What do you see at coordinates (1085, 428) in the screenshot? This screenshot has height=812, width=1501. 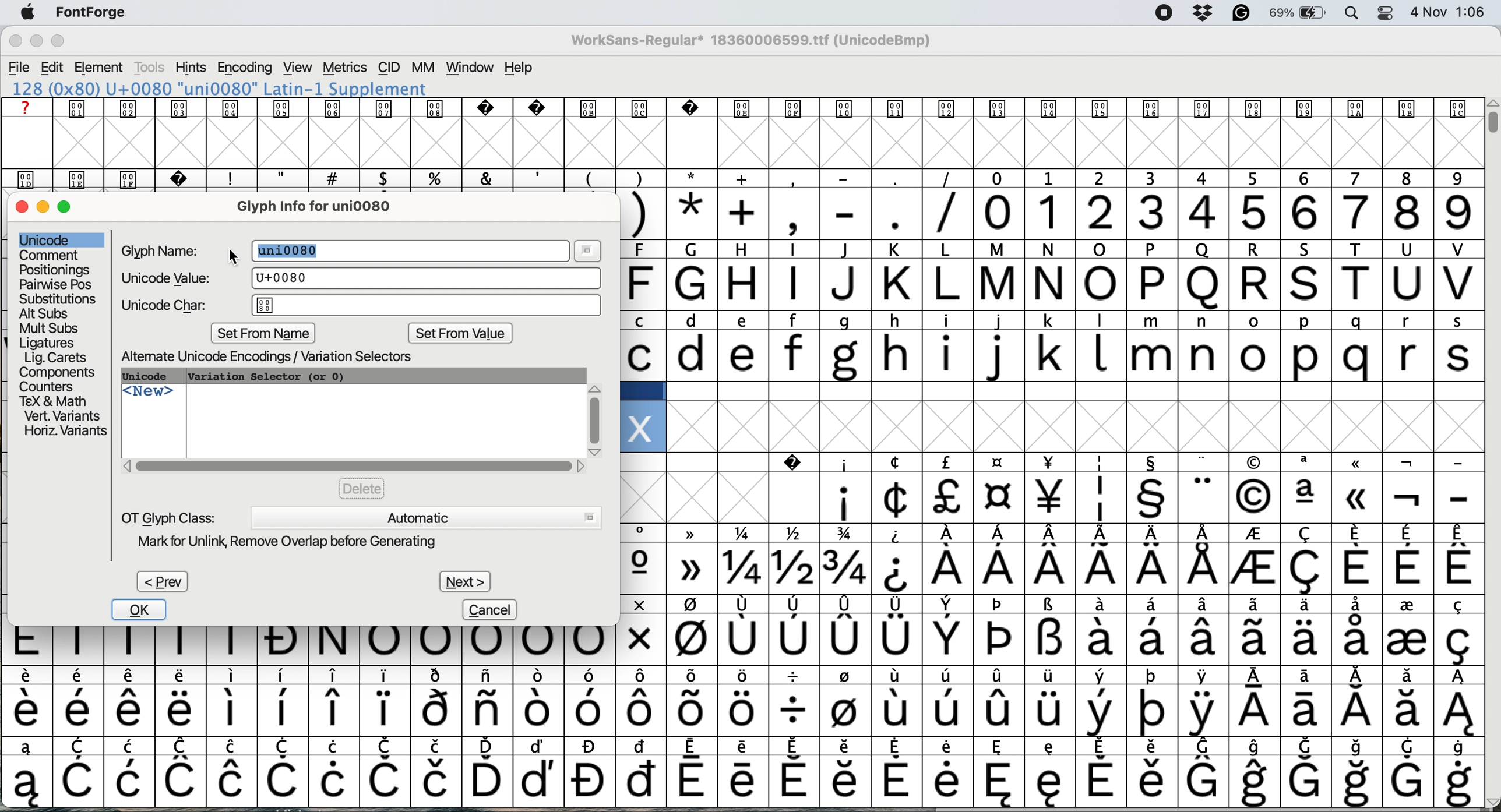 I see `glyph grid` at bounding box center [1085, 428].